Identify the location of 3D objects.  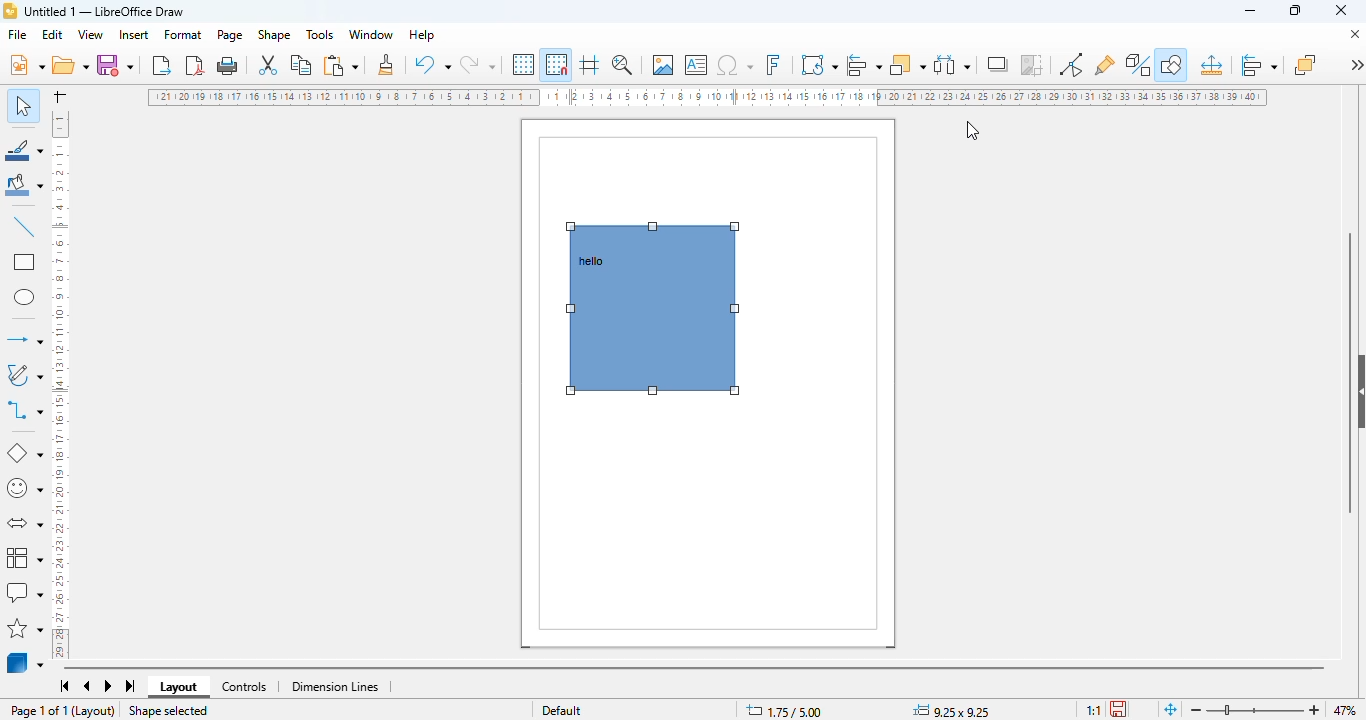
(26, 662).